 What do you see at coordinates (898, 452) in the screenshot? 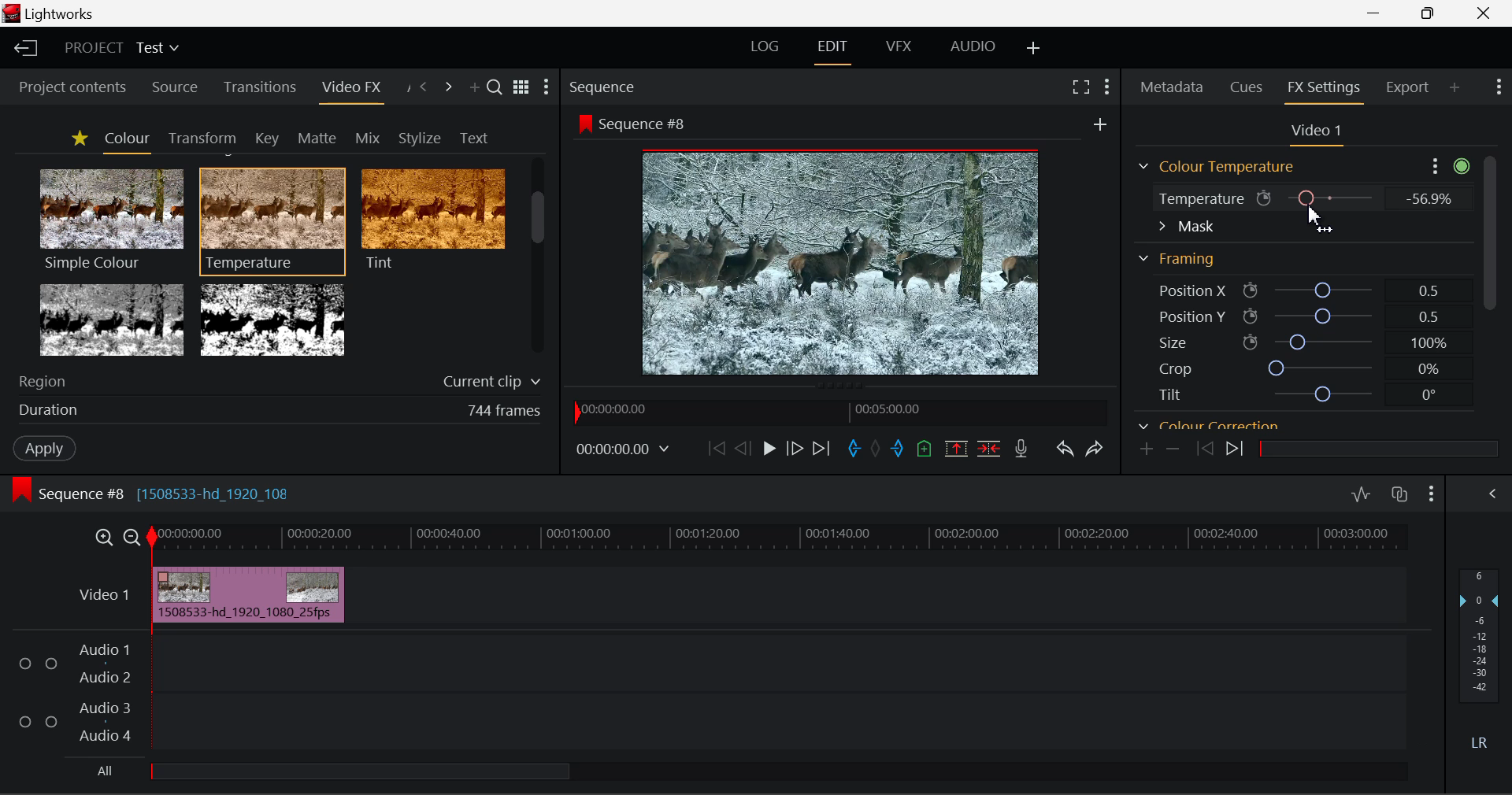
I see `Mark Out` at bounding box center [898, 452].